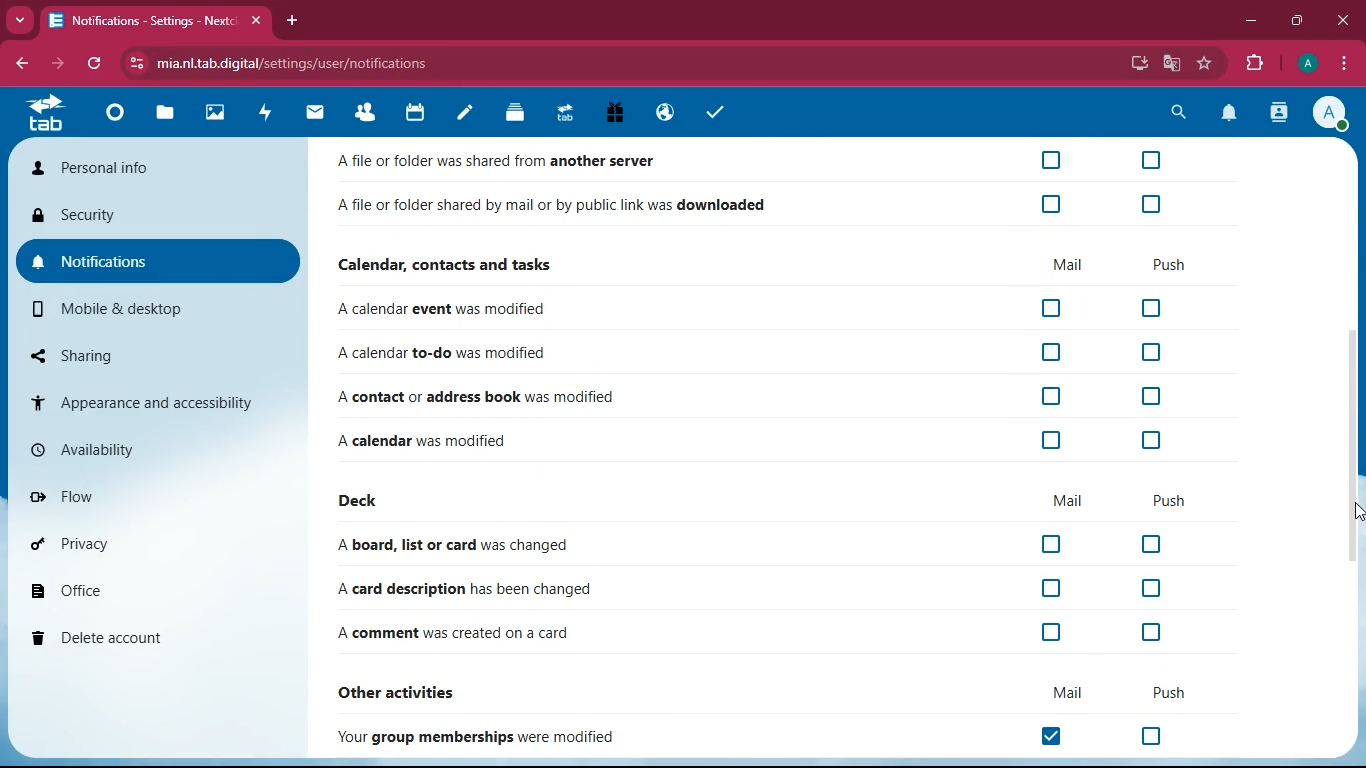  Describe the element at coordinates (445, 438) in the screenshot. I see `A calendar was modified` at that location.